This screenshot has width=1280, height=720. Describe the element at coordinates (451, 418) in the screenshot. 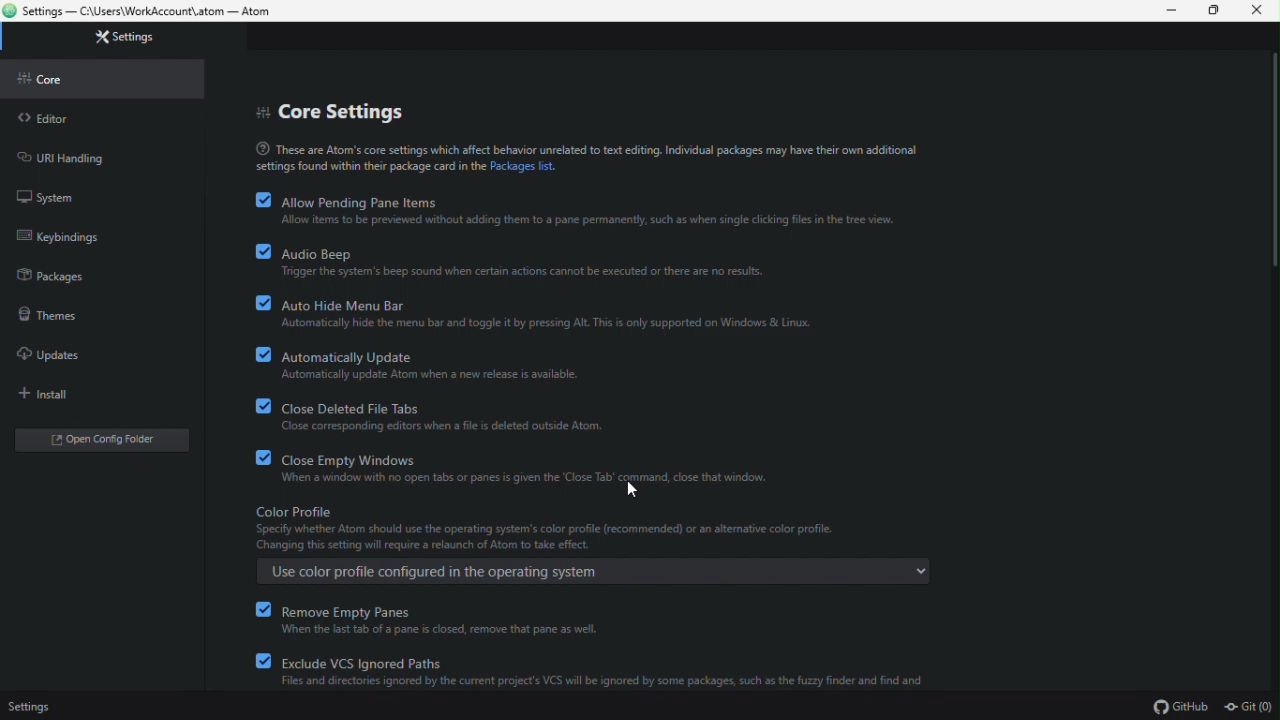

I see `close deleted file tabs` at that location.